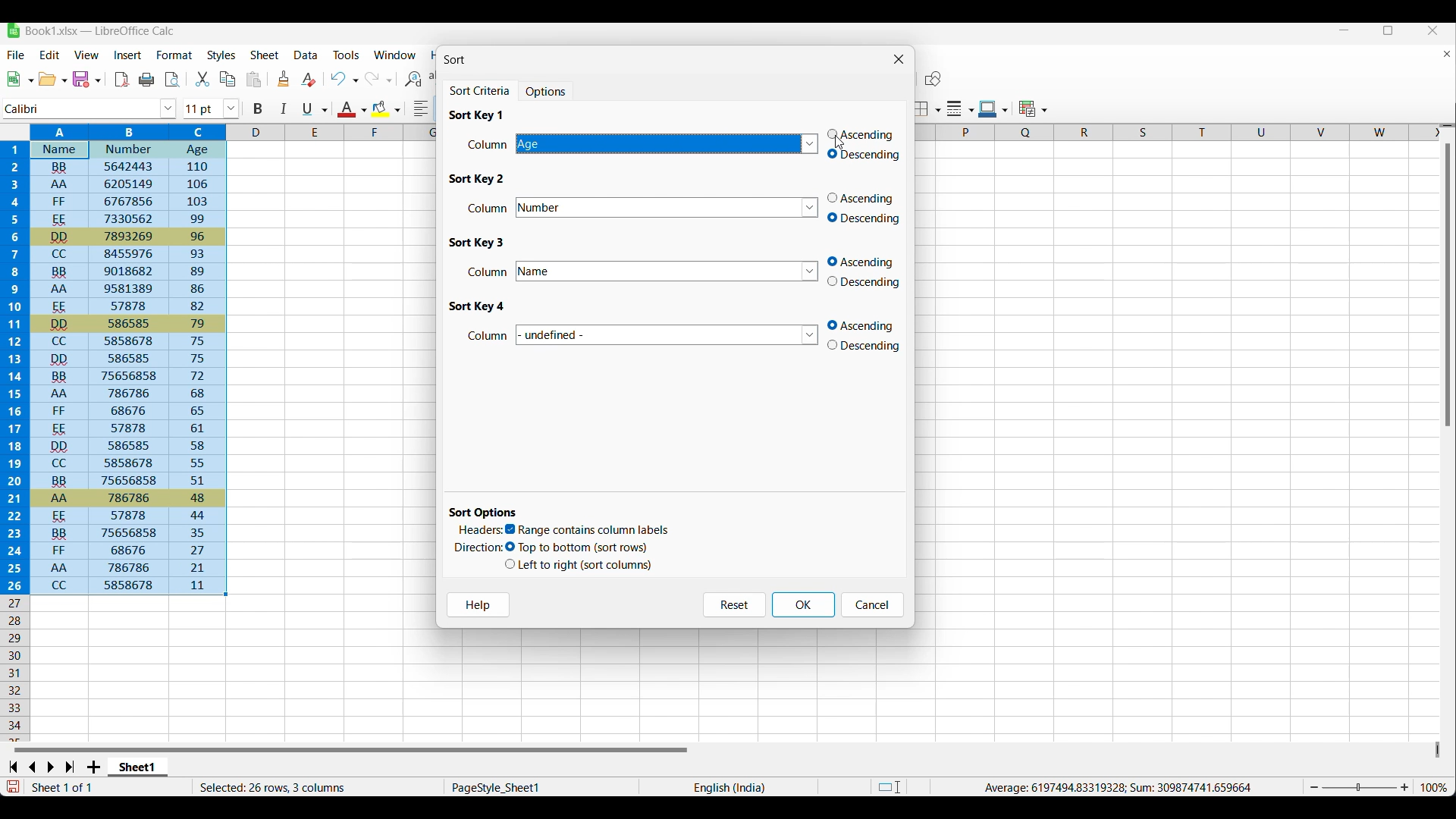 This screenshot has height=819, width=1456. Describe the element at coordinates (86, 79) in the screenshot. I see `Save options` at that location.